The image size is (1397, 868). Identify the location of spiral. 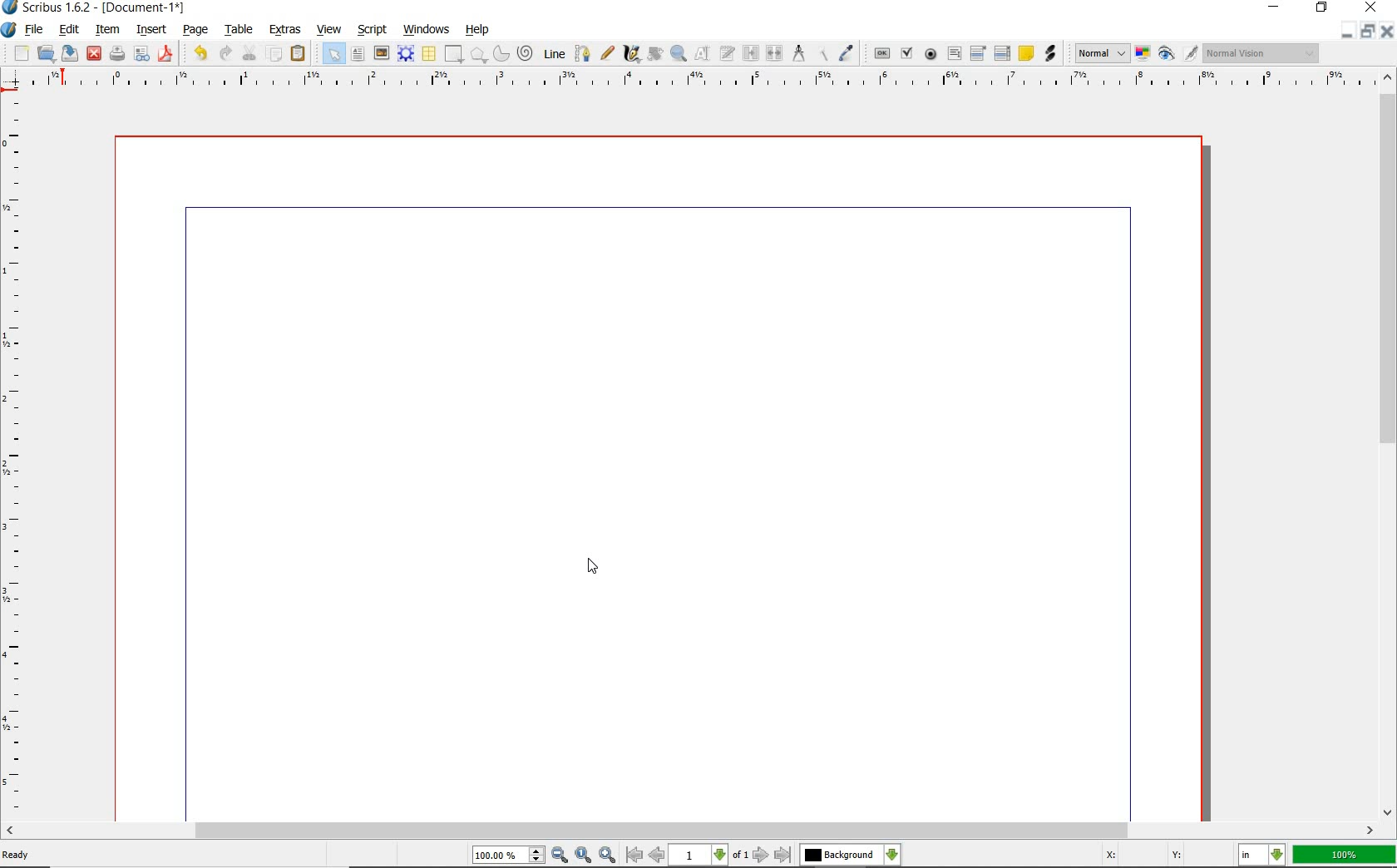
(526, 52).